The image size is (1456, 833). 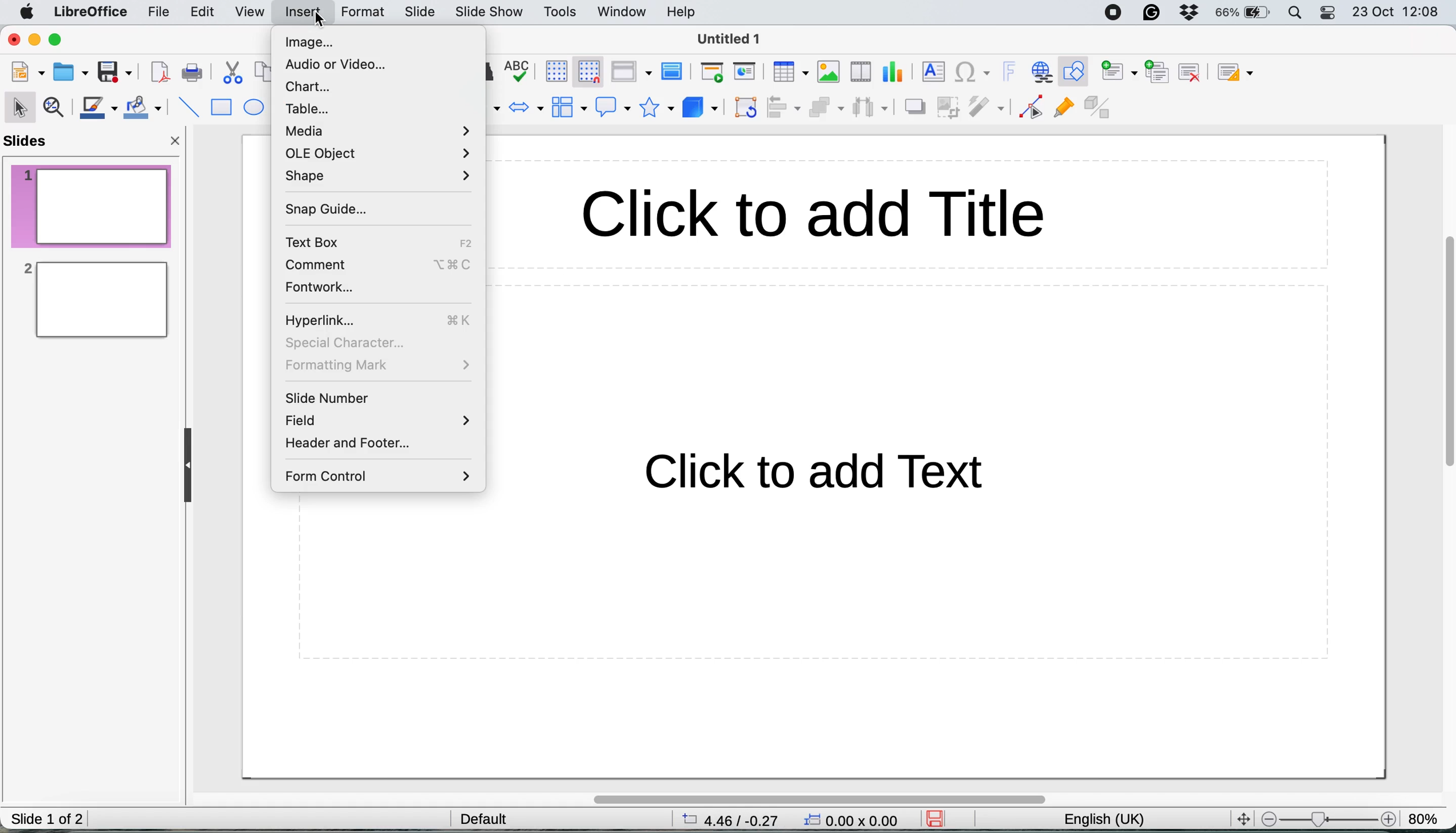 What do you see at coordinates (684, 11) in the screenshot?
I see `help` at bounding box center [684, 11].